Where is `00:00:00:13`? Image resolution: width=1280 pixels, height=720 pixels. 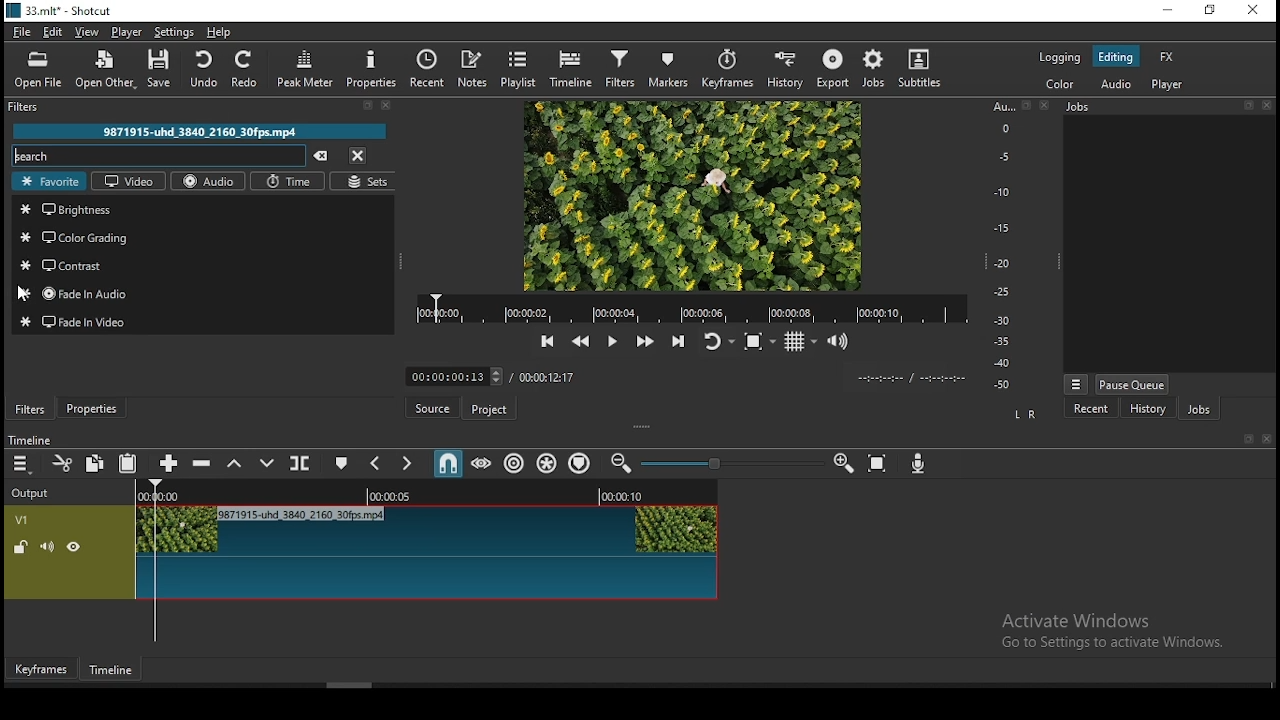
00:00:00:13 is located at coordinates (447, 375).